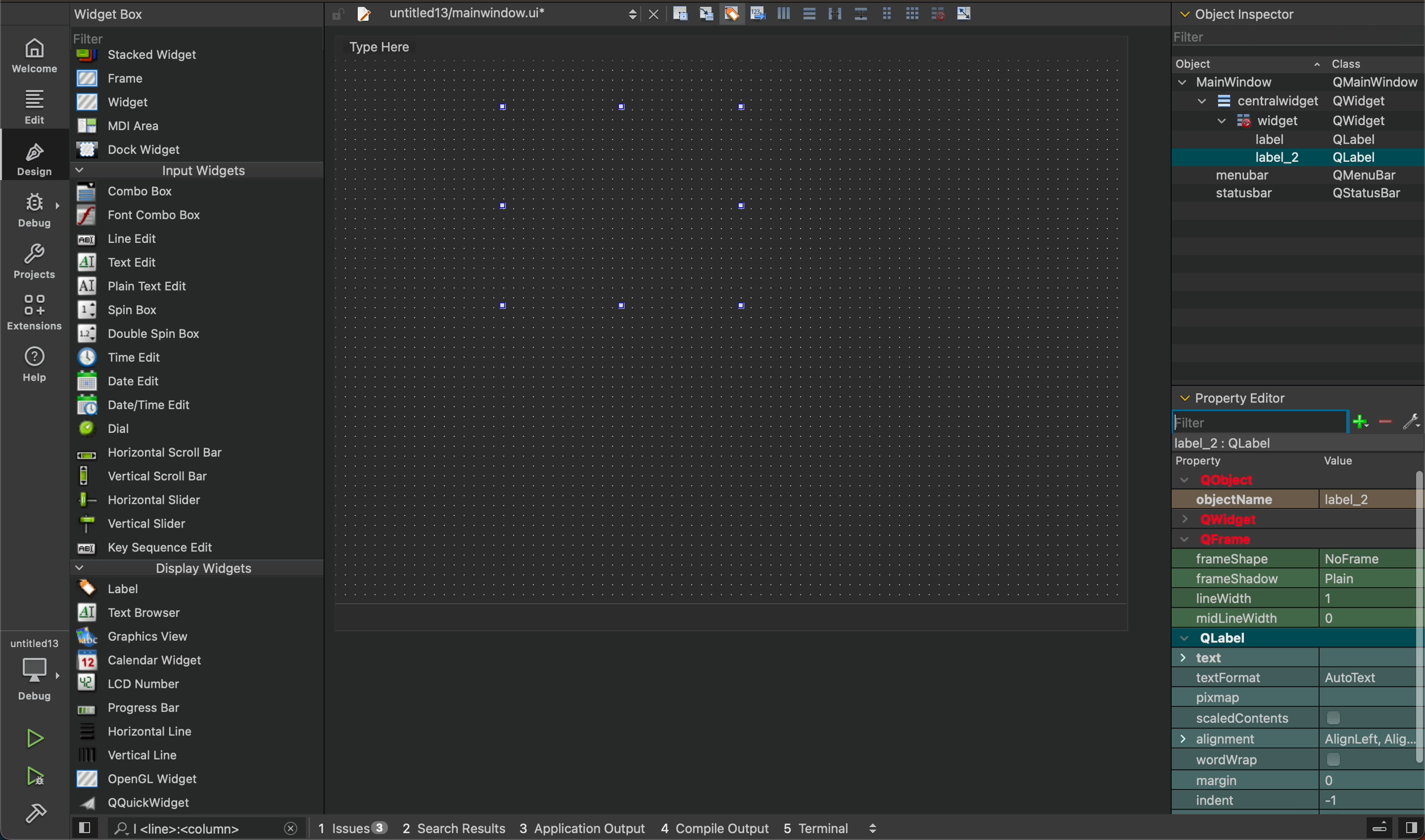 Image resolution: width=1425 pixels, height=840 pixels. What do you see at coordinates (1301, 520) in the screenshot?
I see `qwidget` at bounding box center [1301, 520].